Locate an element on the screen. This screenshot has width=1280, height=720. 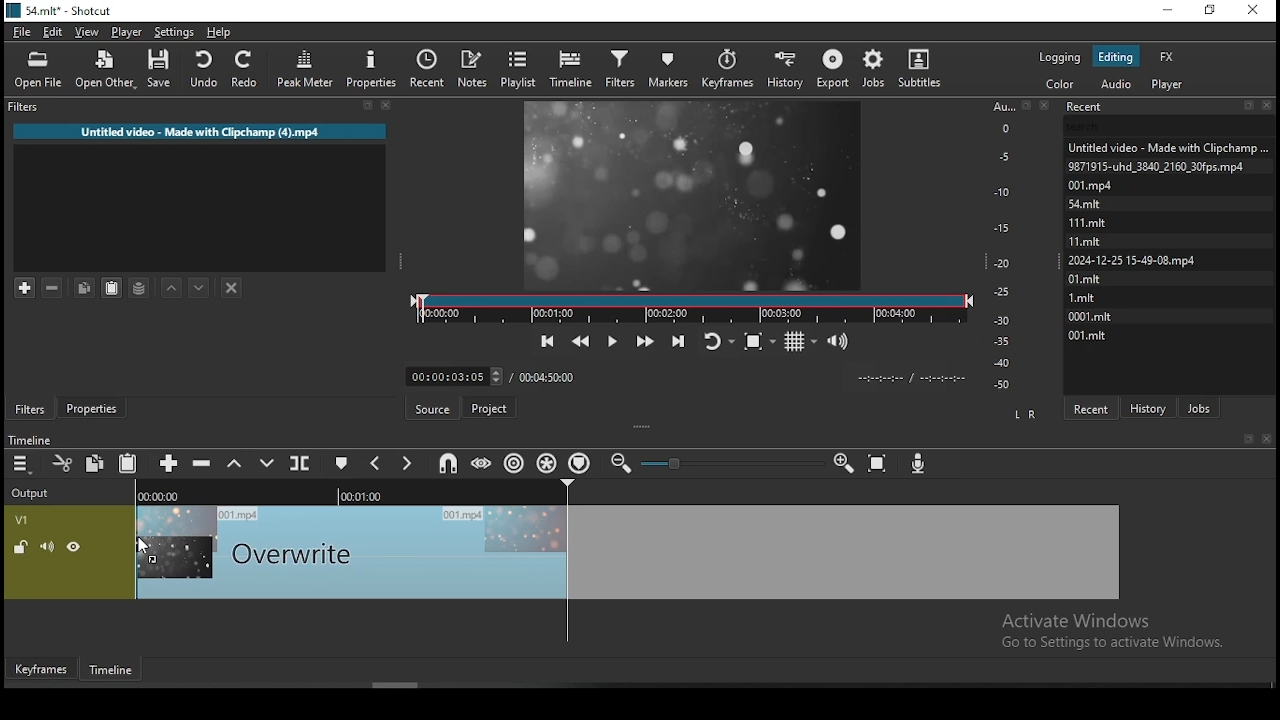
jobs is located at coordinates (1201, 408).